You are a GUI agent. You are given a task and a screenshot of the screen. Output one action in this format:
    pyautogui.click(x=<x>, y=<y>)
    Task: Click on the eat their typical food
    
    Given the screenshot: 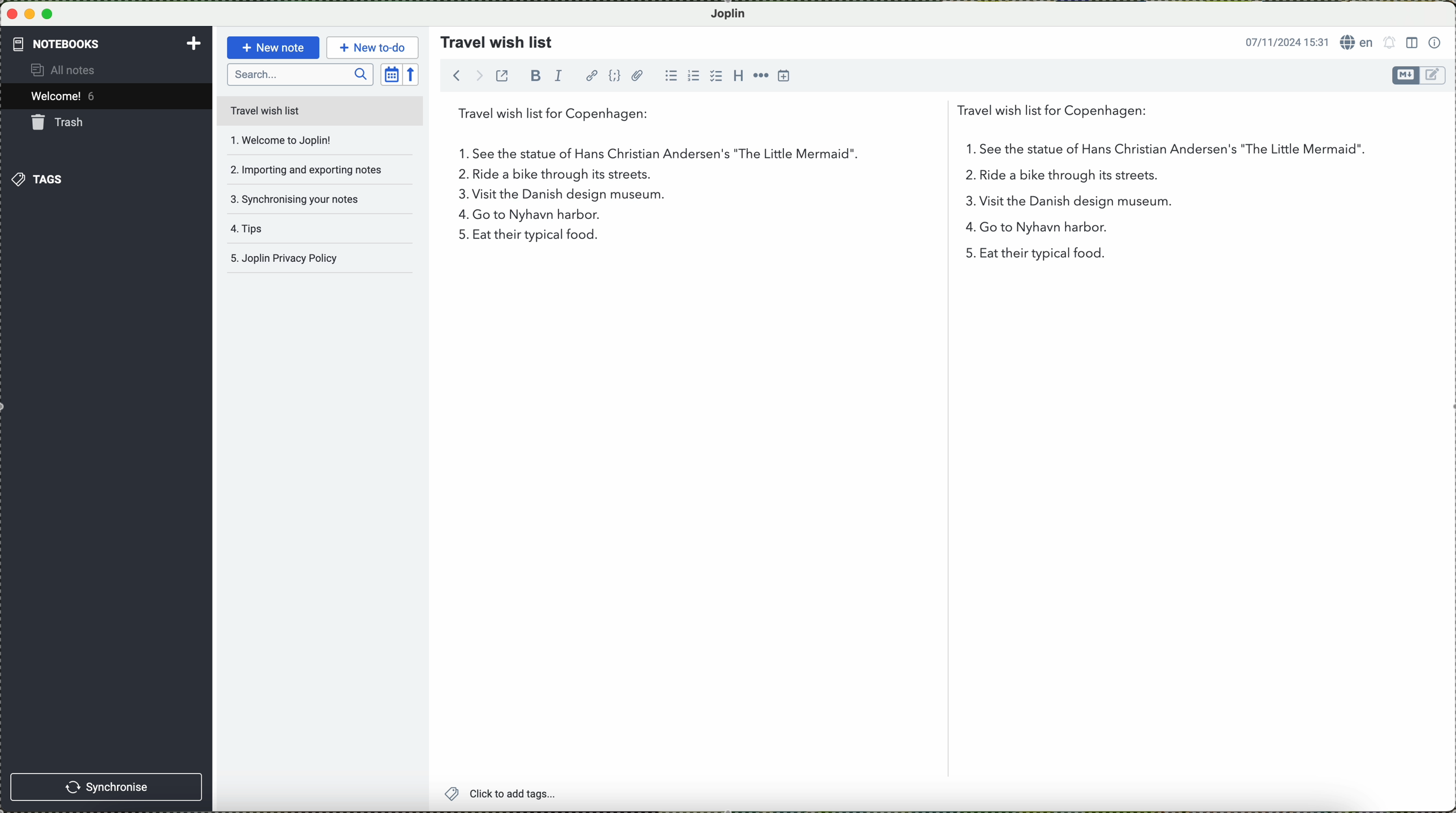 What is the action you would take?
    pyautogui.click(x=549, y=242)
    